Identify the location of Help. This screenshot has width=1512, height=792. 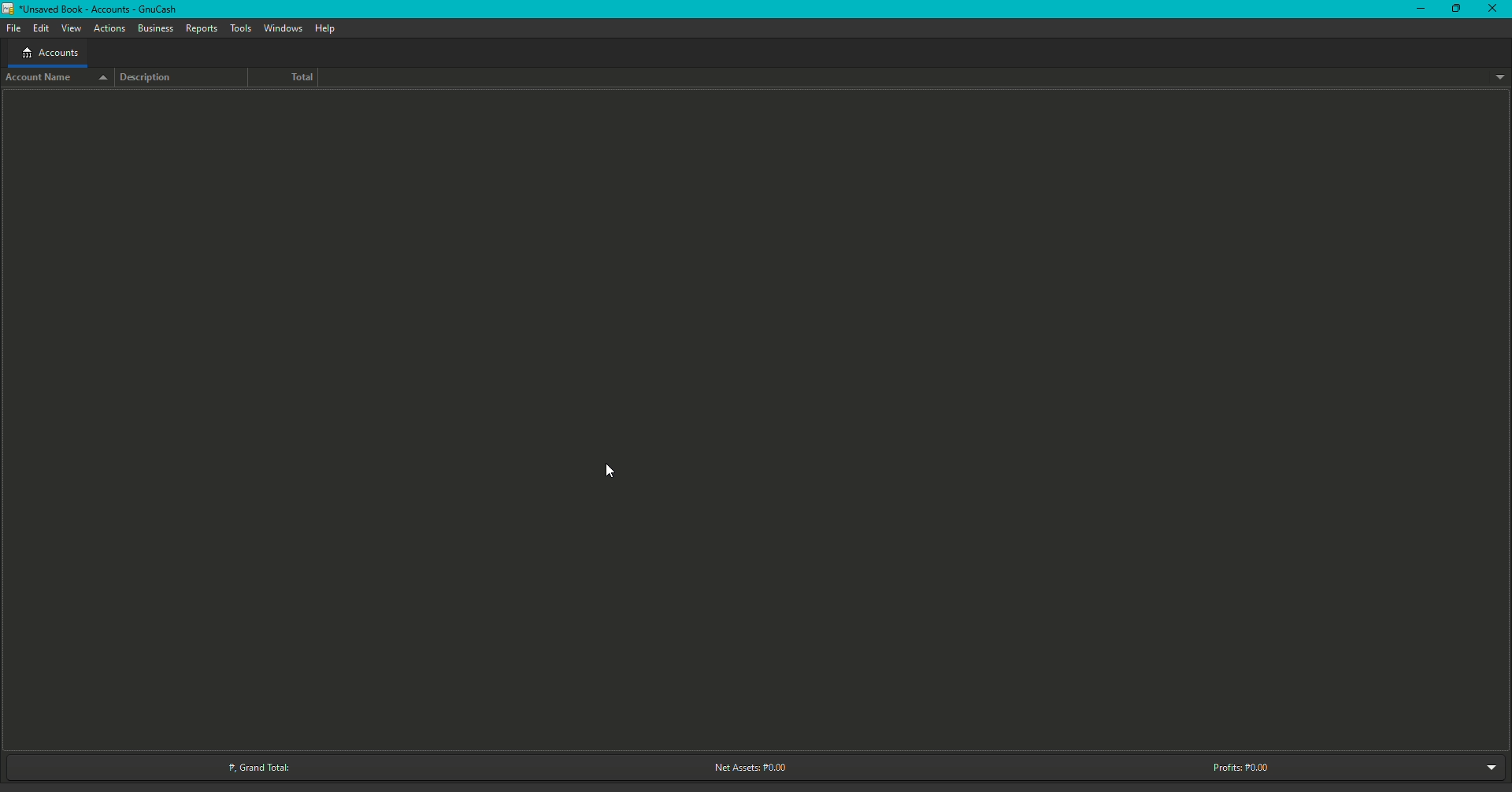
(327, 28).